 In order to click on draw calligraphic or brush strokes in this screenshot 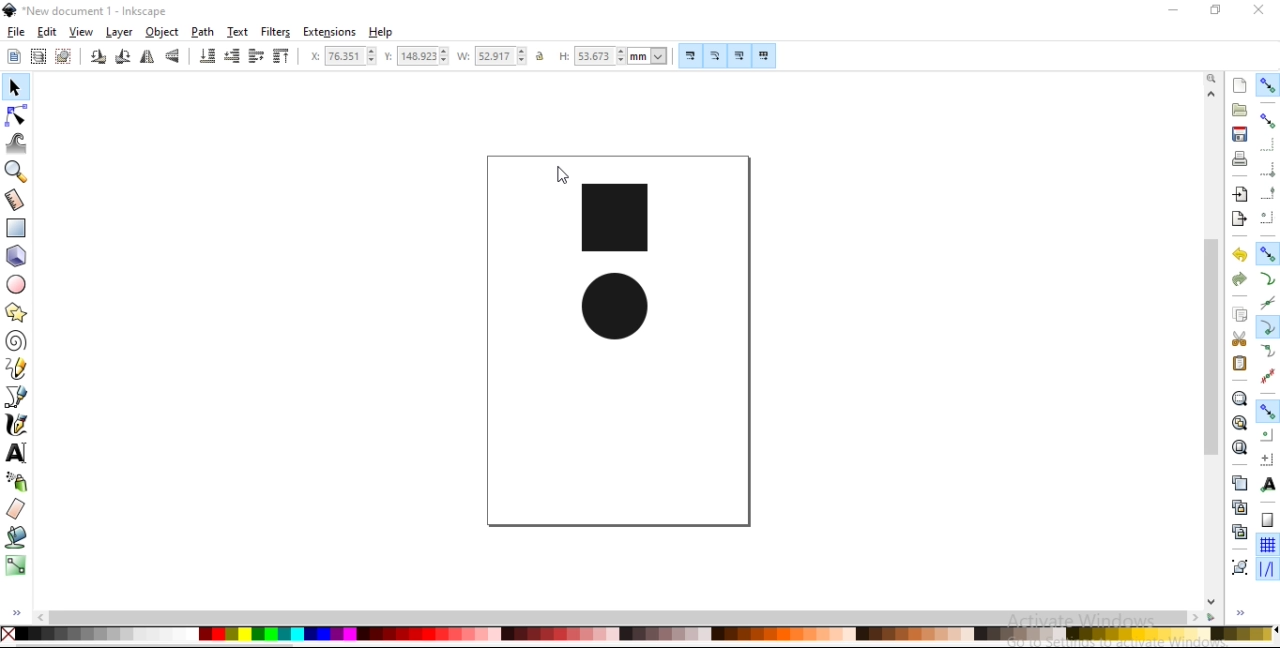, I will do `click(18, 423)`.